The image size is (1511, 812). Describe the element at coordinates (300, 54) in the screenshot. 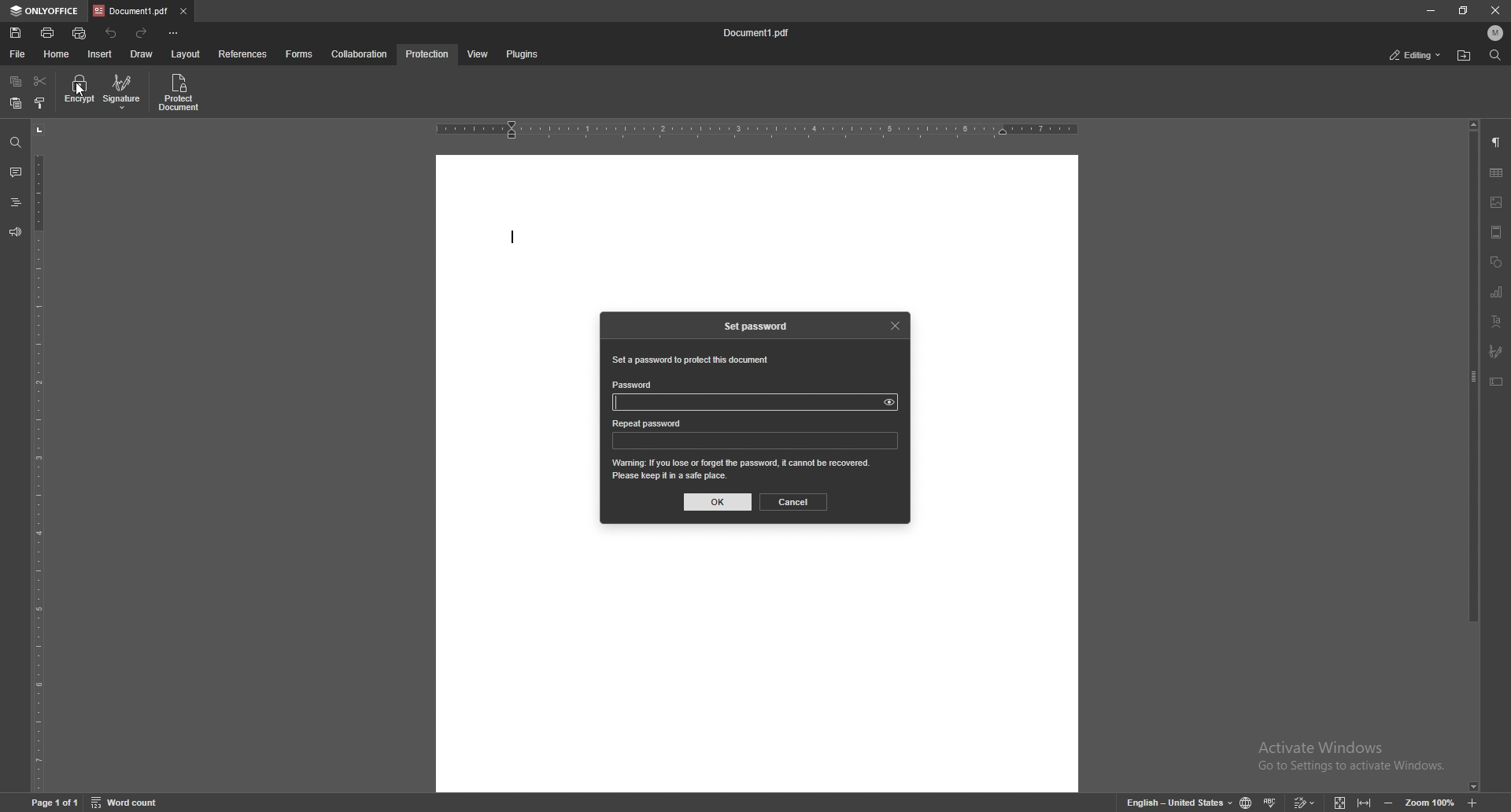

I see `forms` at that location.